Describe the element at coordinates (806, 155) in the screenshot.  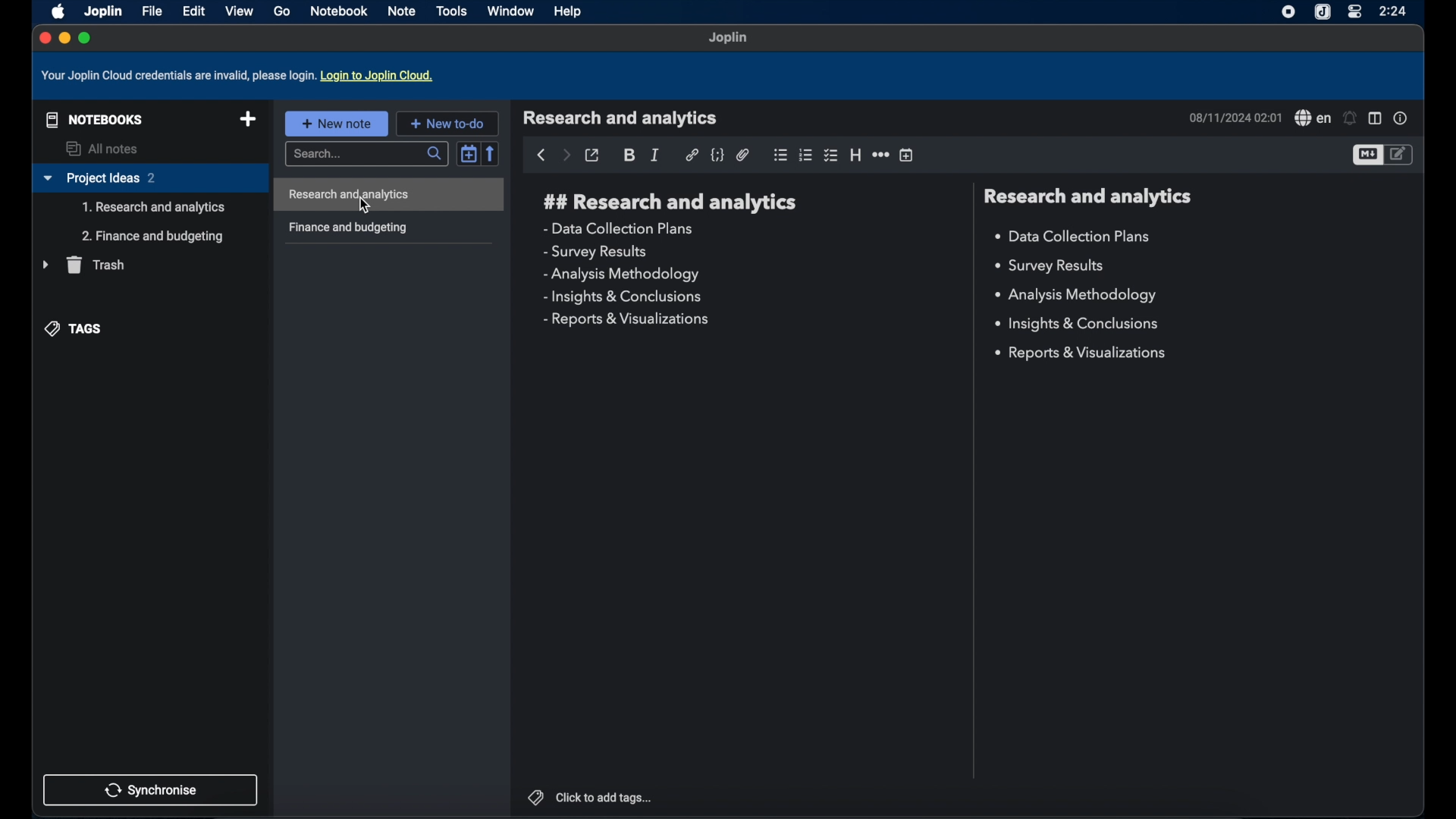
I see `numbered list` at that location.